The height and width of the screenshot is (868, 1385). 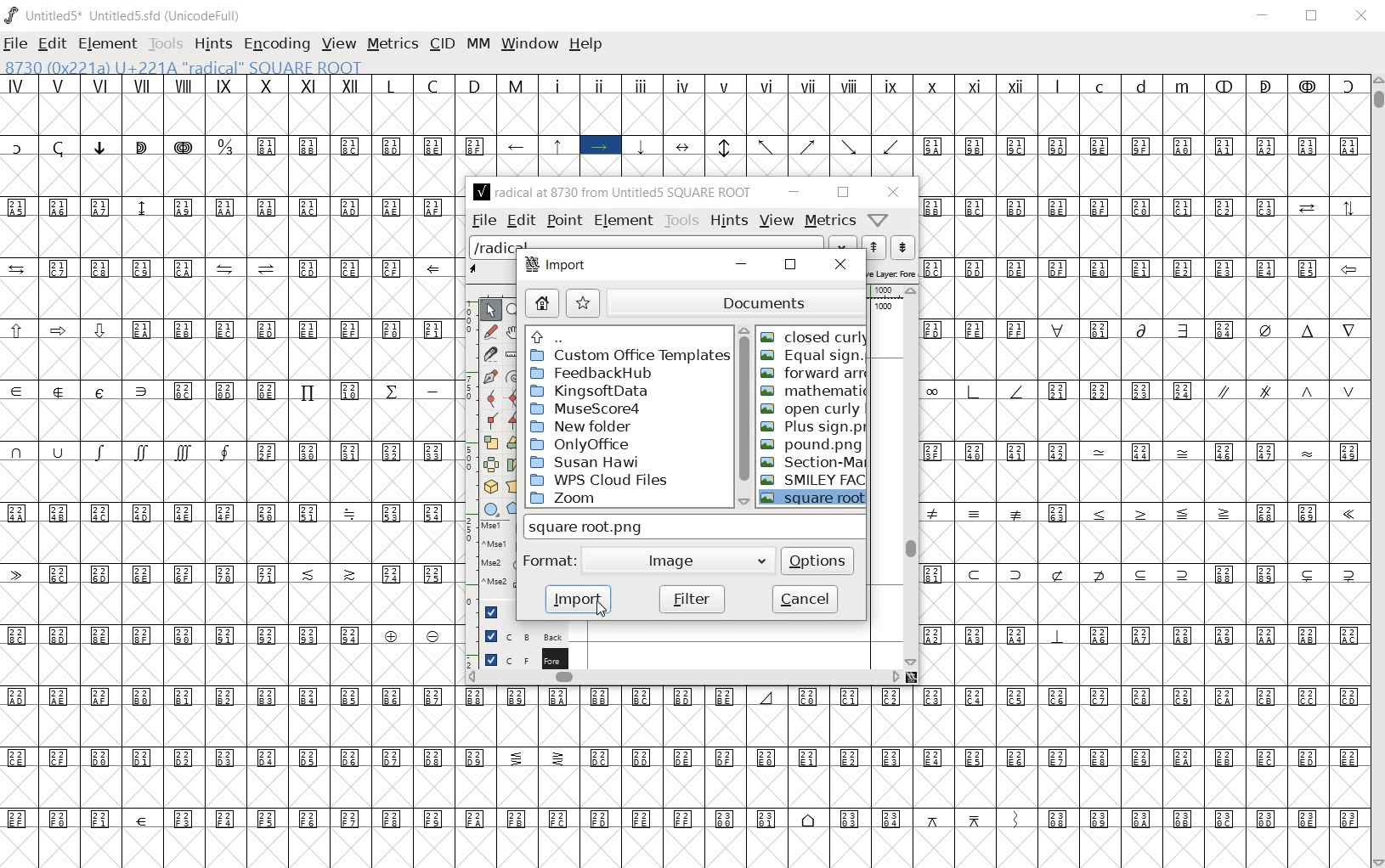 I want to click on TOOLS, so click(x=166, y=44).